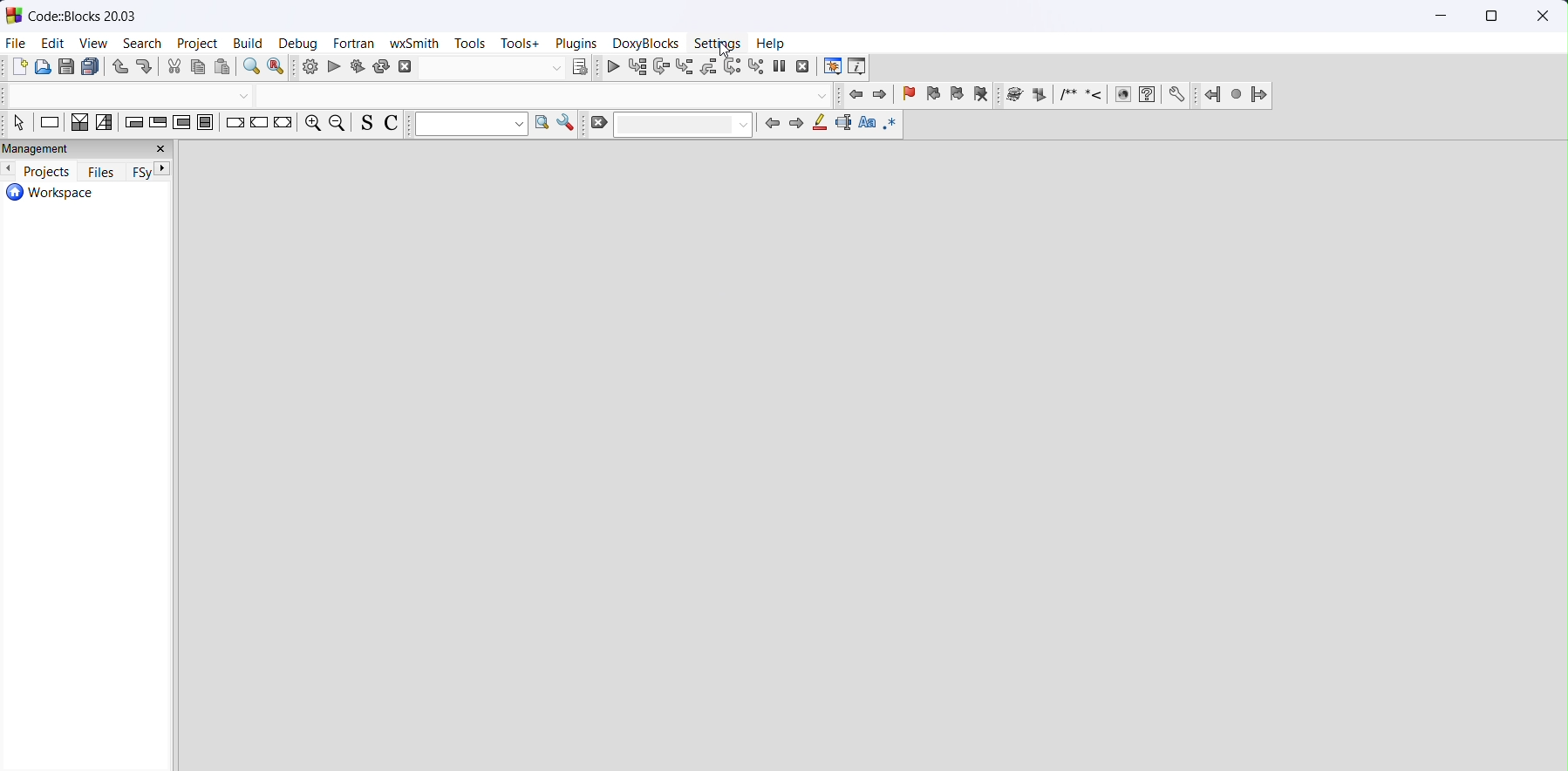  Describe the element at coordinates (522, 44) in the screenshot. I see `tools+` at that location.